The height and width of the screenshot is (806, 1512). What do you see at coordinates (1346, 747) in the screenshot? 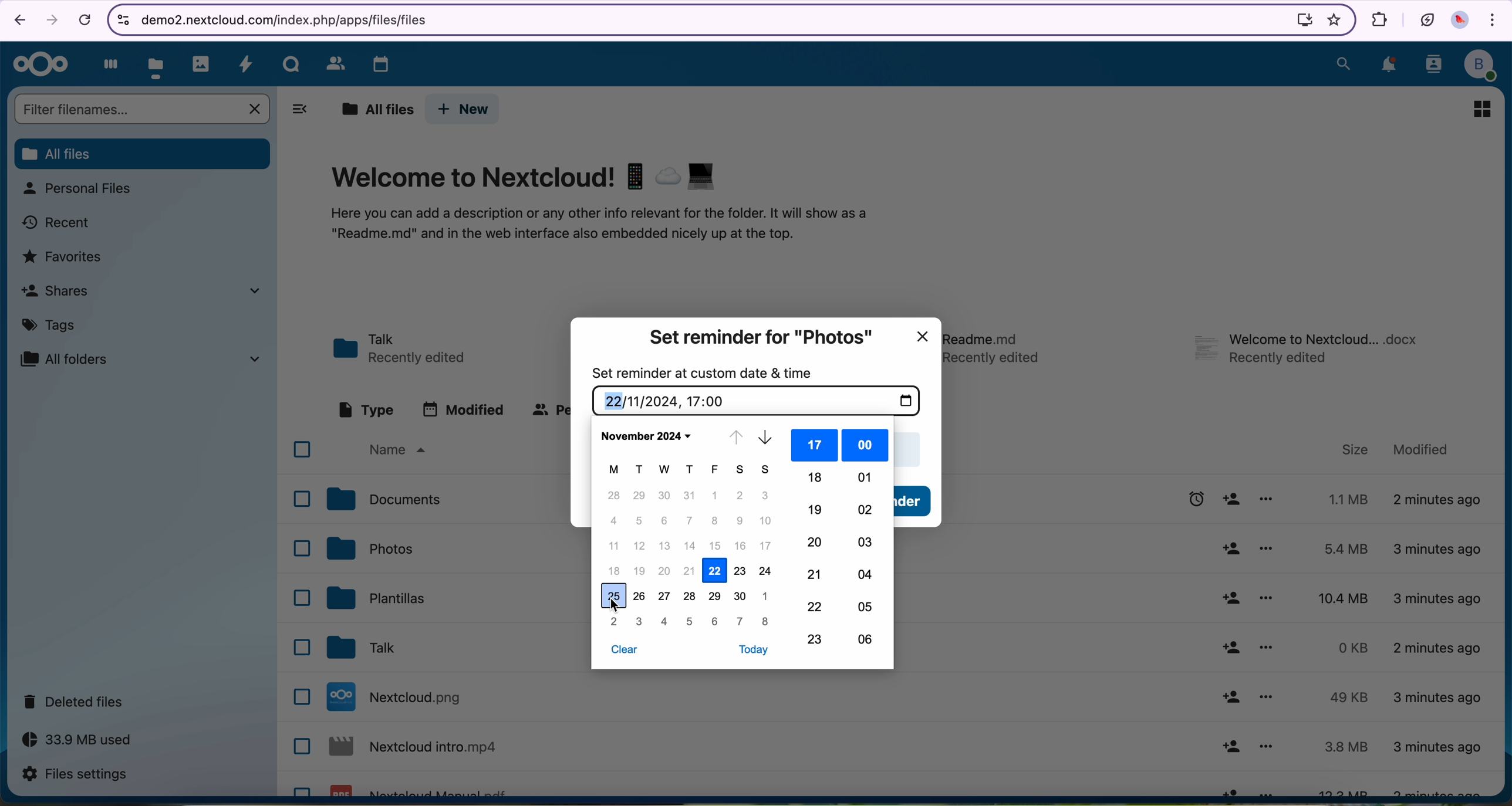
I see `3.8` at bounding box center [1346, 747].